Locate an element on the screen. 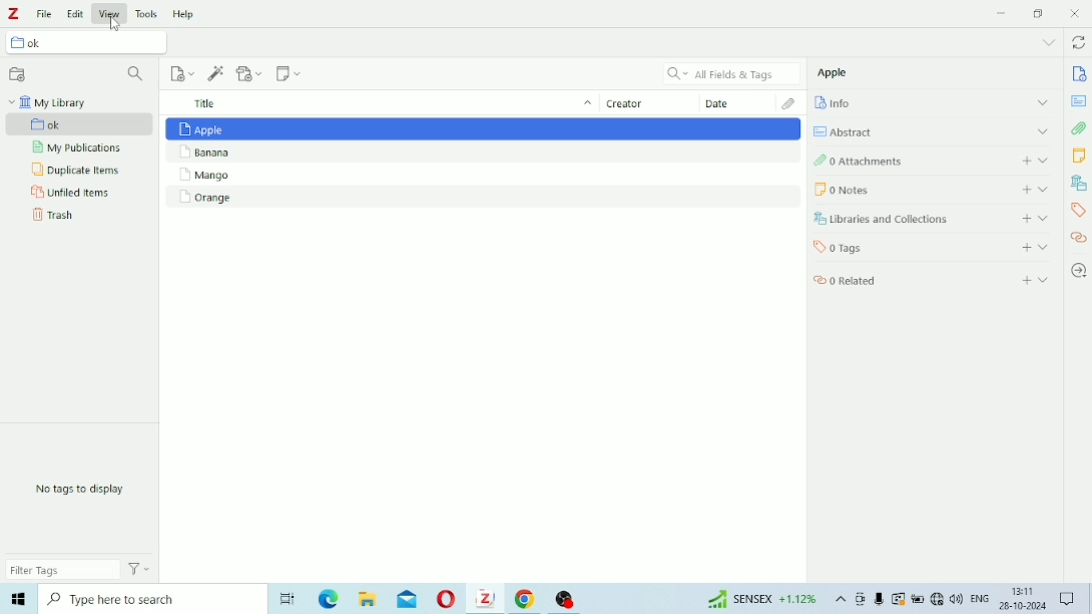 The width and height of the screenshot is (1092, 614). Date is located at coordinates (731, 104).